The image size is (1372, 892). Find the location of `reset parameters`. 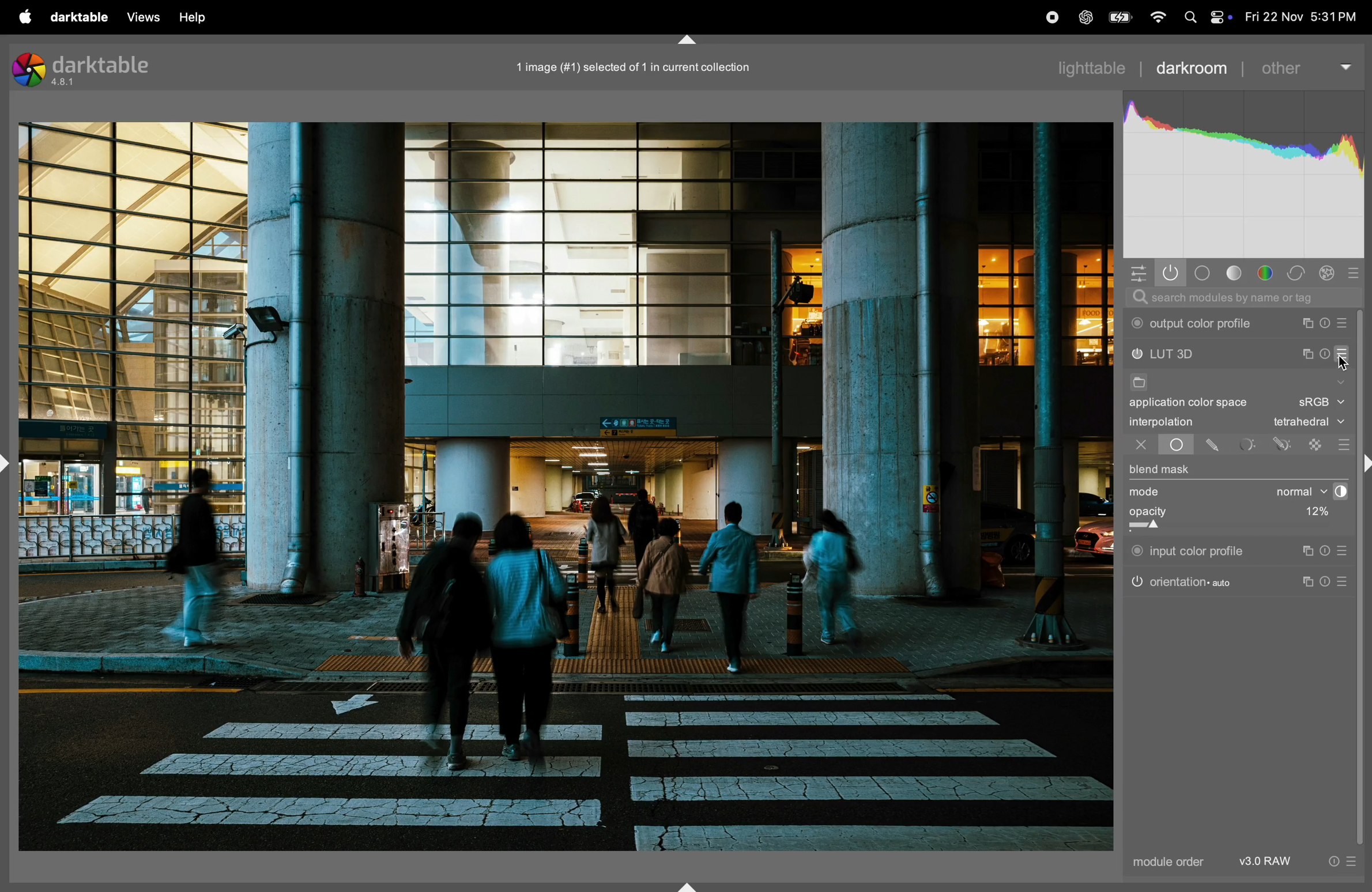

reset parameters is located at coordinates (1330, 580).